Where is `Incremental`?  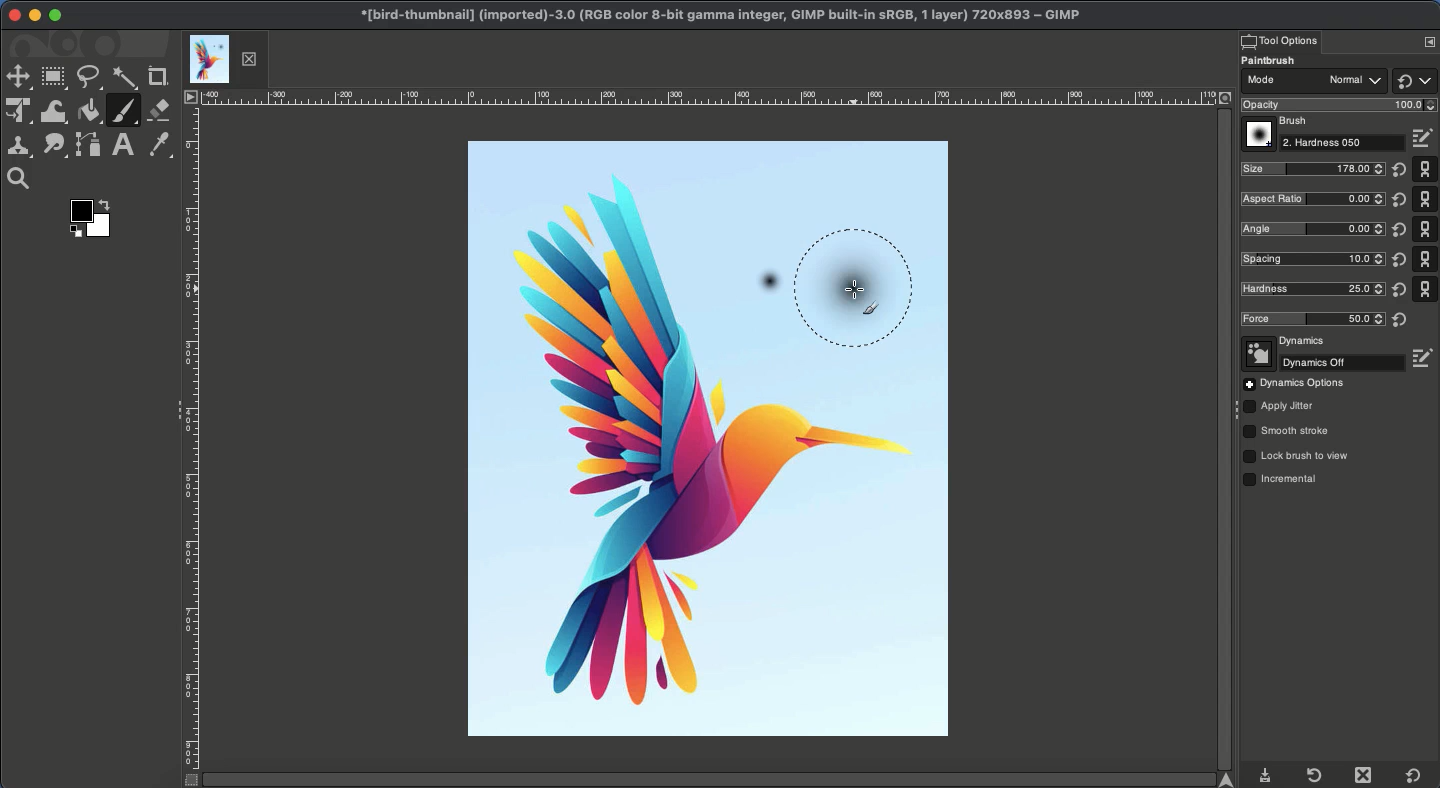
Incremental is located at coordinates (1285, 481).